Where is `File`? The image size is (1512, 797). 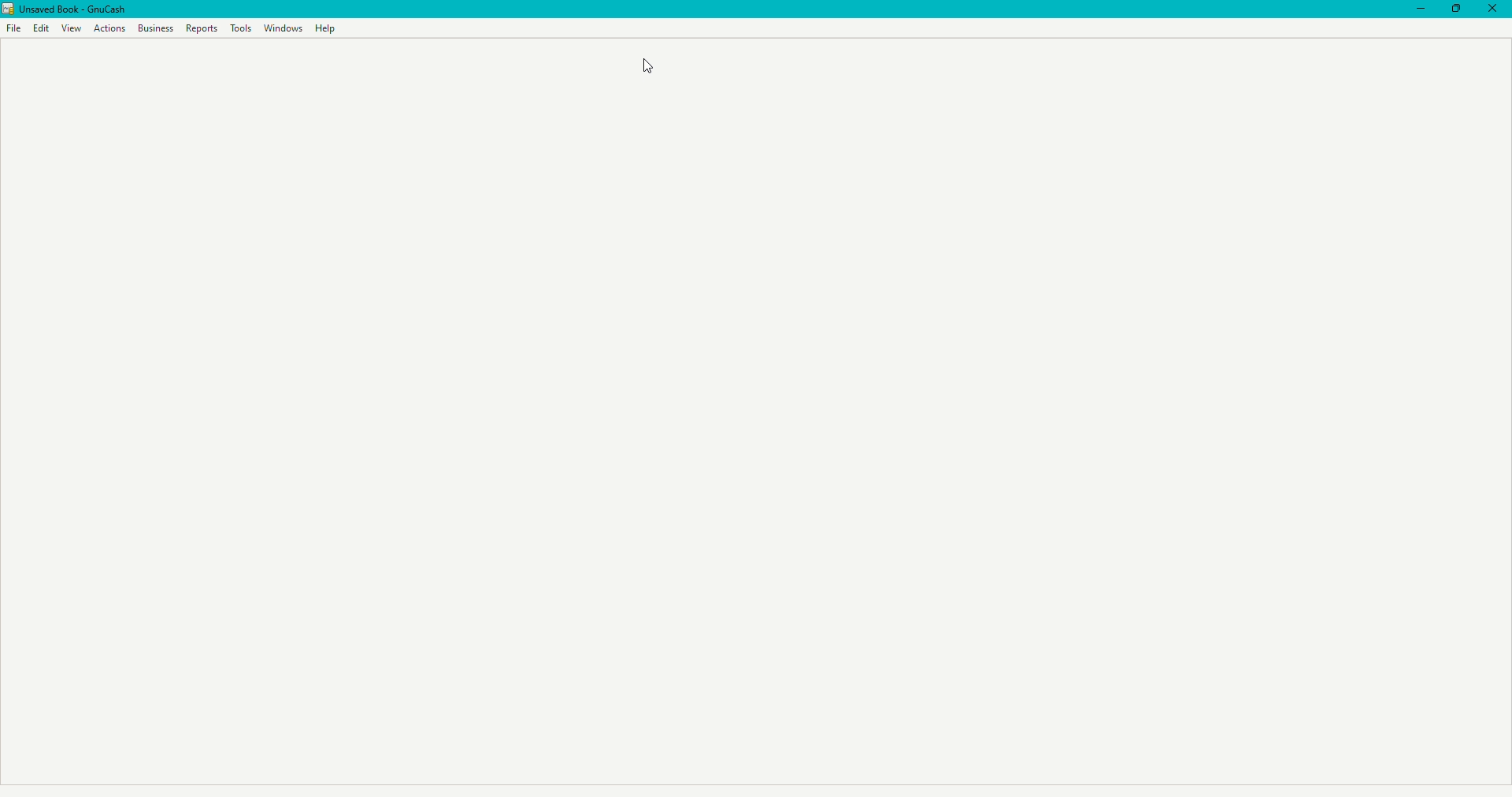 File is located at coordinates (14, 28).